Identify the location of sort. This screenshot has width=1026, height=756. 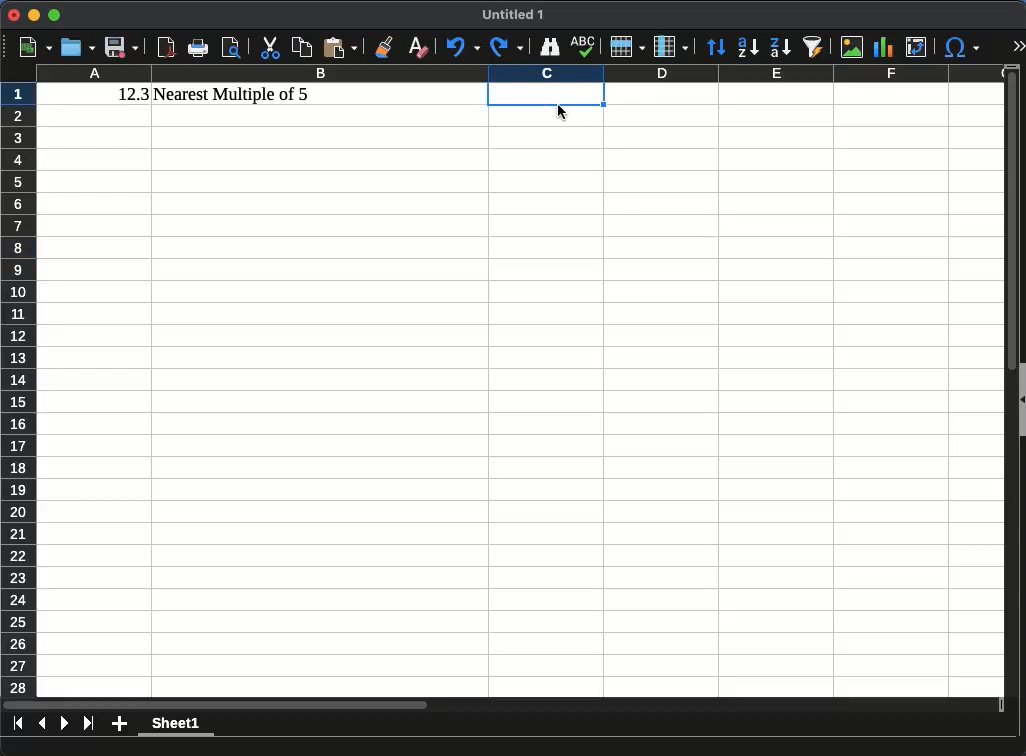
(718, 48).